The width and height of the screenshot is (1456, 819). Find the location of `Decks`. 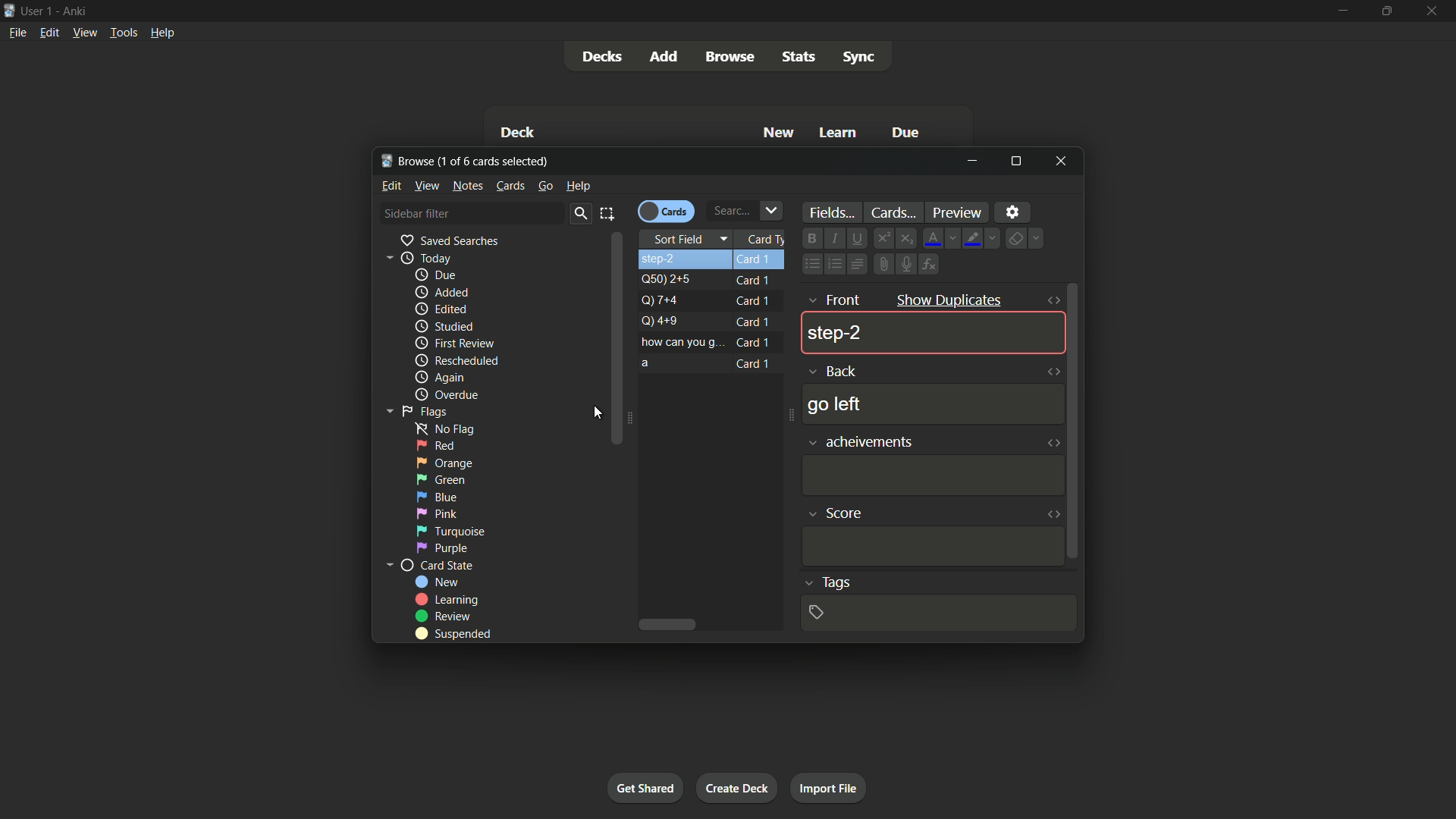

Decks is located at coordinates (603, 57).